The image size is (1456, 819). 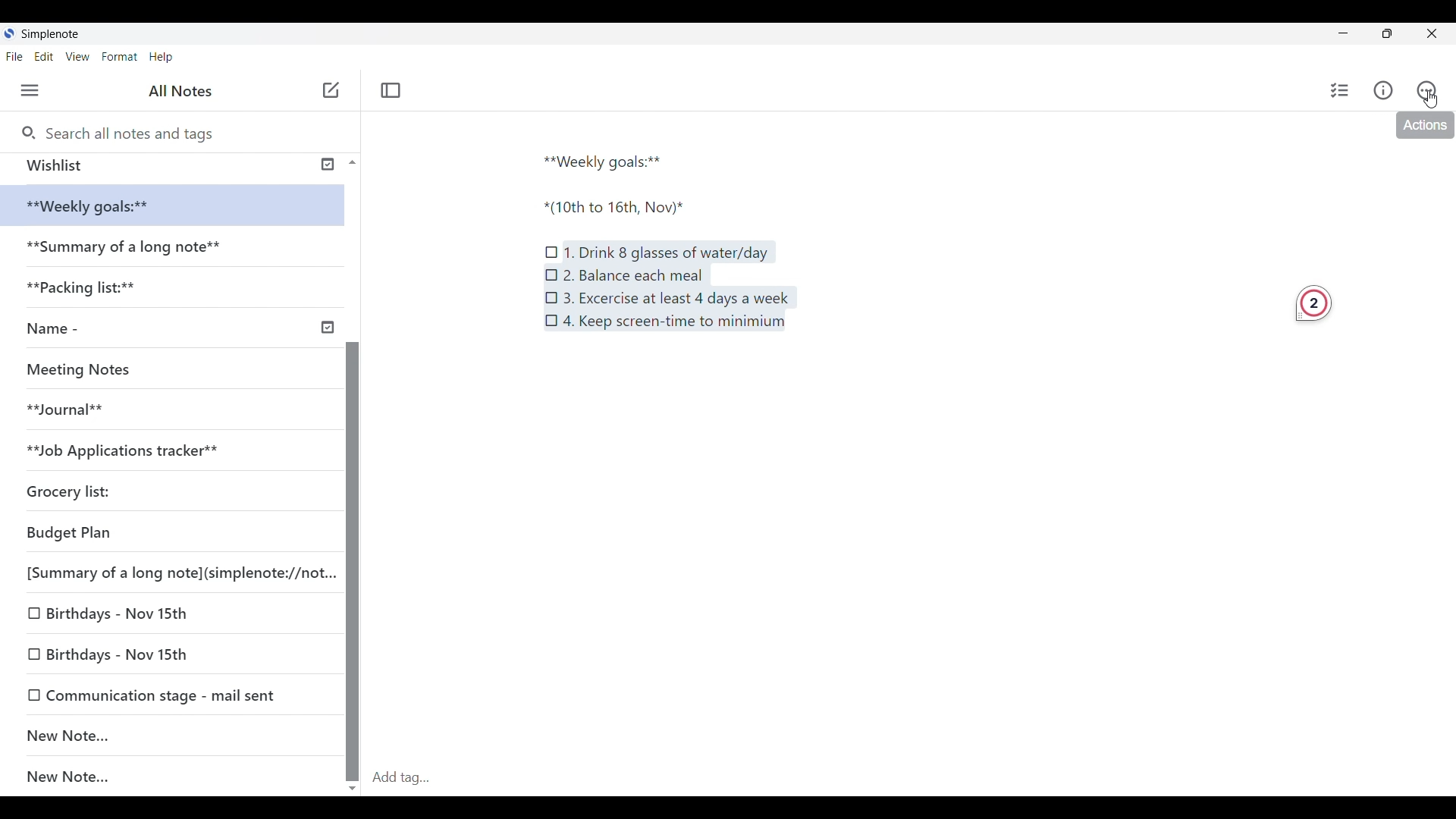 What do you see at coordinates (668, 252) in the screenshot?
I see `1. Drink 8 glasses of water/day` at bounding box center [668, 252].